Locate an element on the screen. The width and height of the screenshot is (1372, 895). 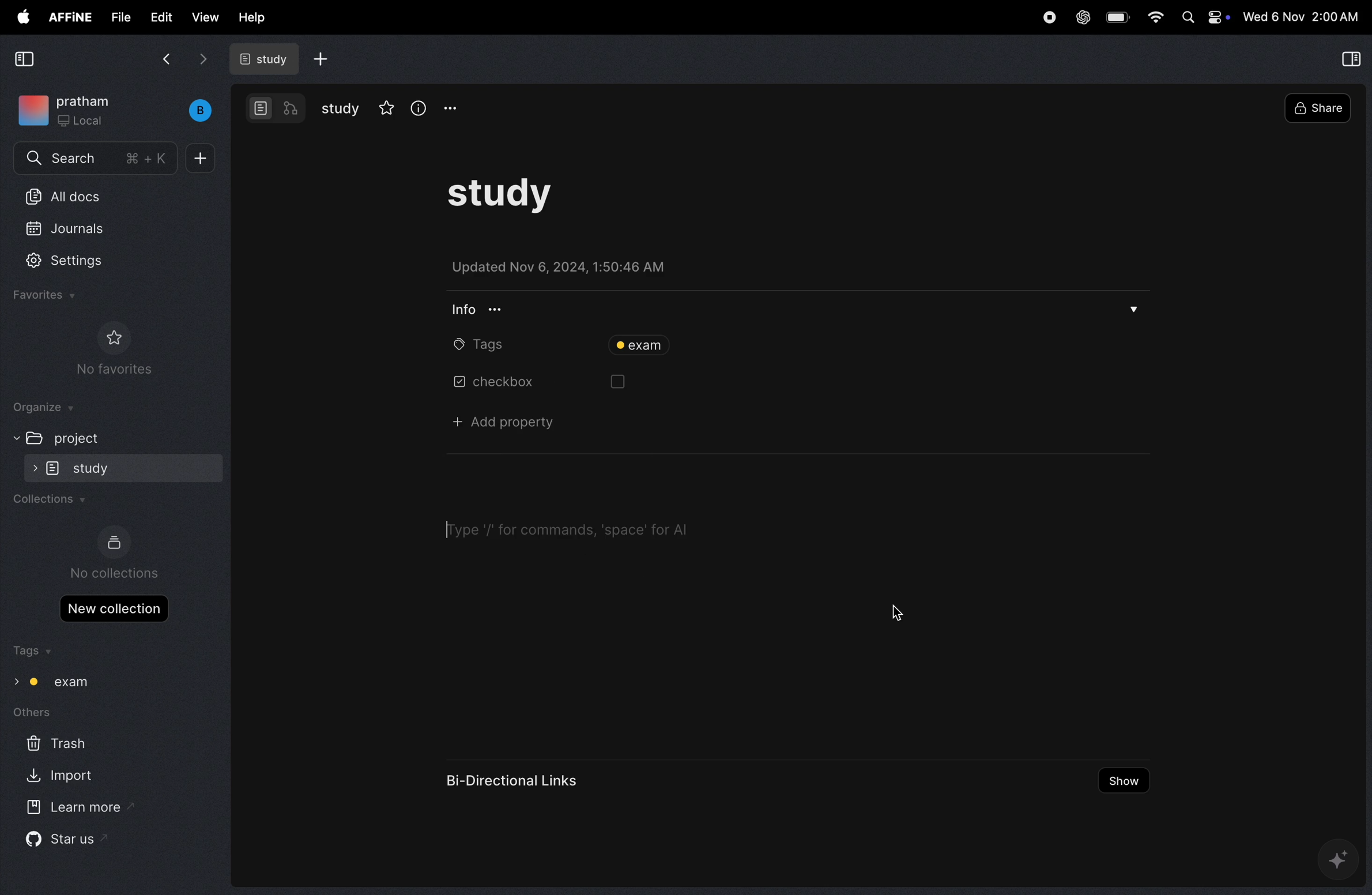
add property is located at coordinates (502, 422).